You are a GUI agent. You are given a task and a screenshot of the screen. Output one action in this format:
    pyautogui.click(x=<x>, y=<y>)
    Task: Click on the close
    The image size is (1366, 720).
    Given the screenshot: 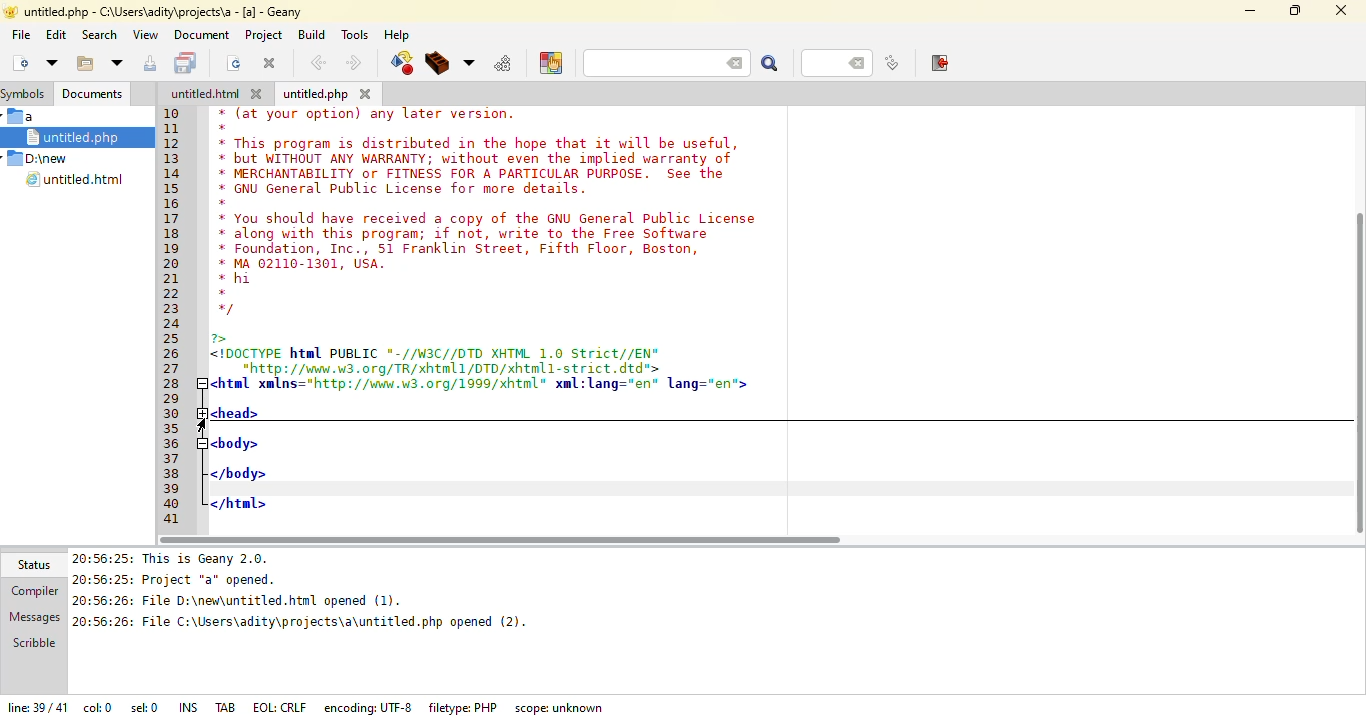 What is the action you would take?
    pyautogui.click(x=255, y=94)
    